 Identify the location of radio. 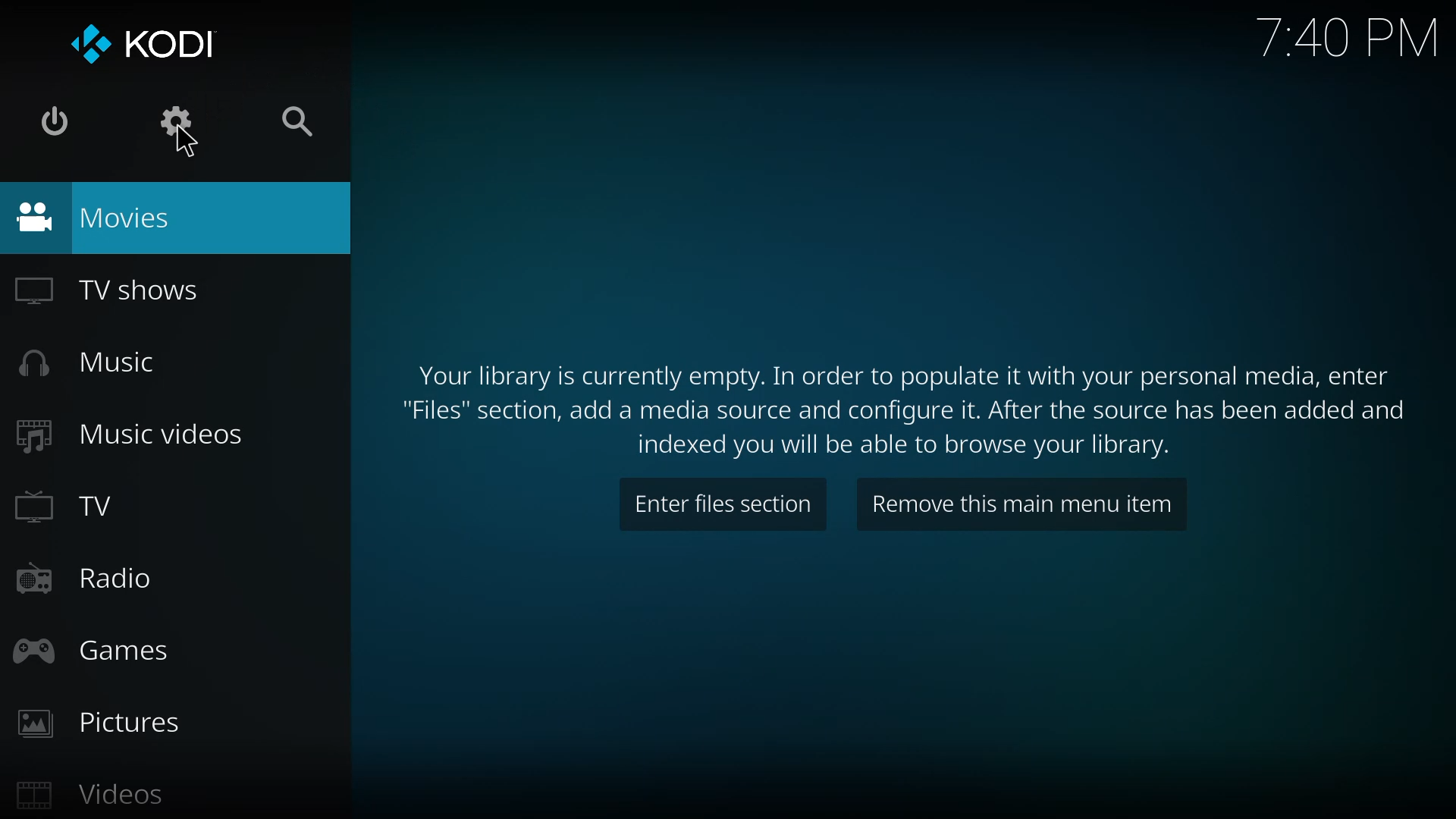
(83, 582).